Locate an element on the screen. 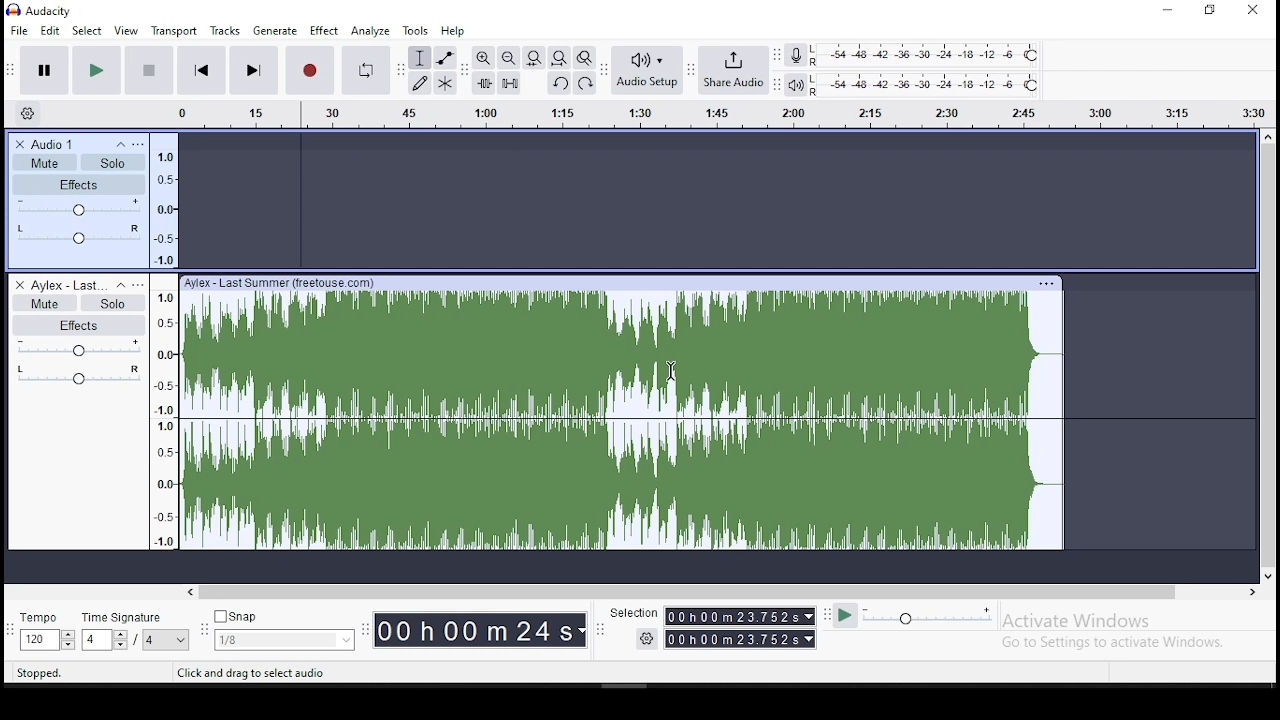 The image size is (1280, 720). scroll bar is located at coordinates (725, 592).